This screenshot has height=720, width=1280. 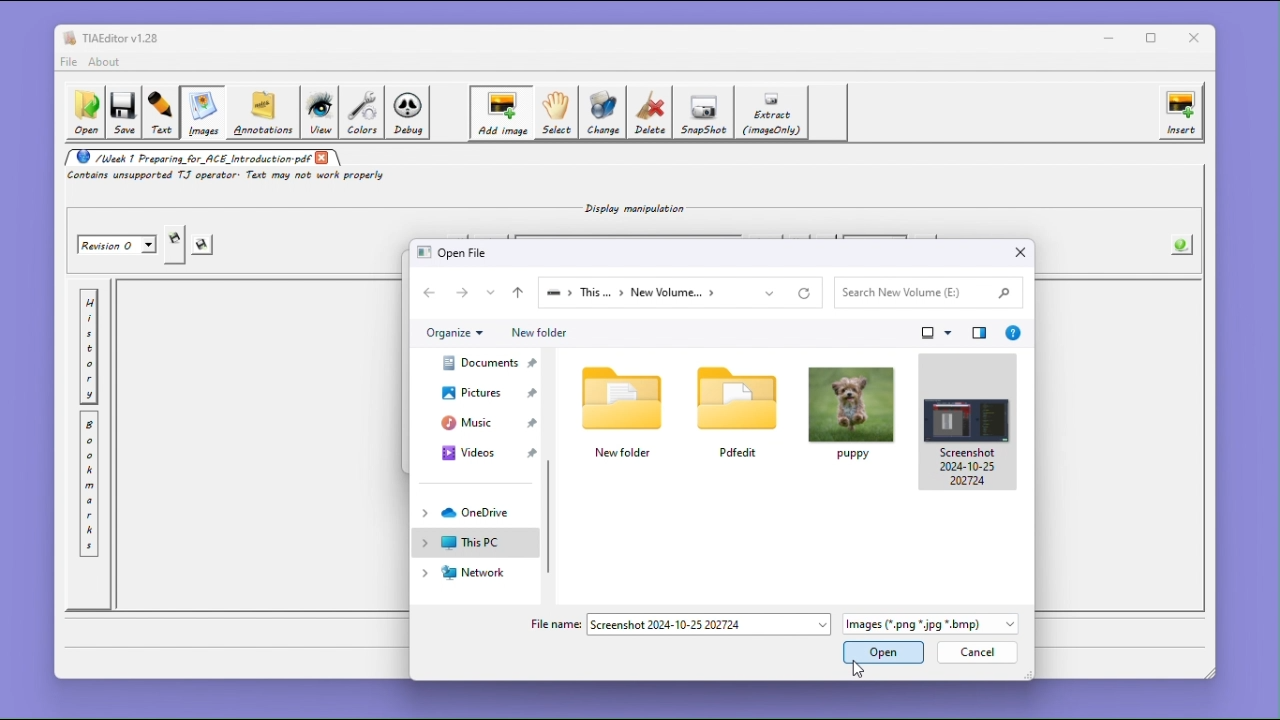 What do you see at coordinates (89, 485) in the screenshot?
I see `Bookmark` at bounding box center [89, 485].